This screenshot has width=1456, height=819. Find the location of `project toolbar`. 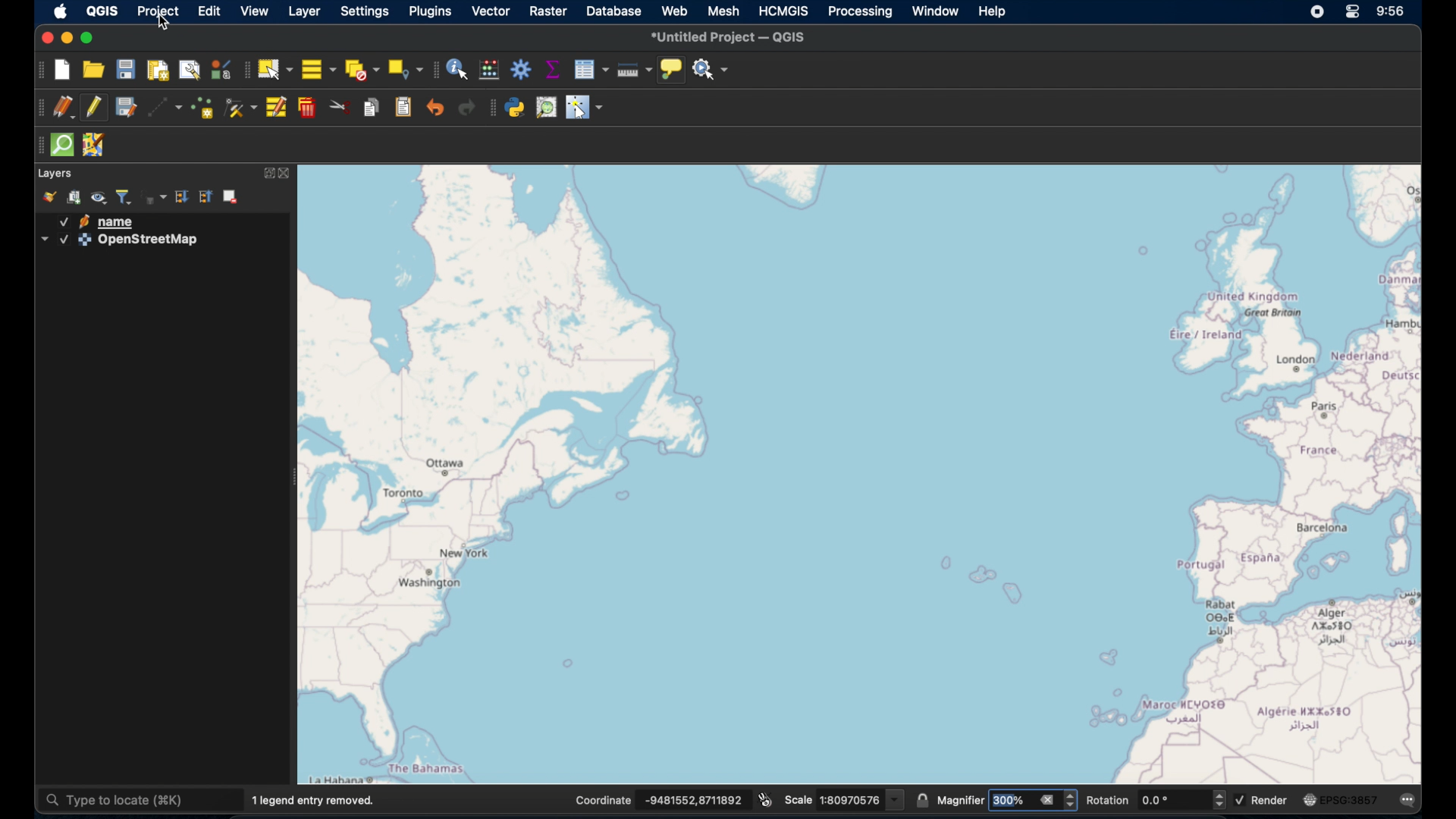

project toolbar is located at coordinates (38, 70).